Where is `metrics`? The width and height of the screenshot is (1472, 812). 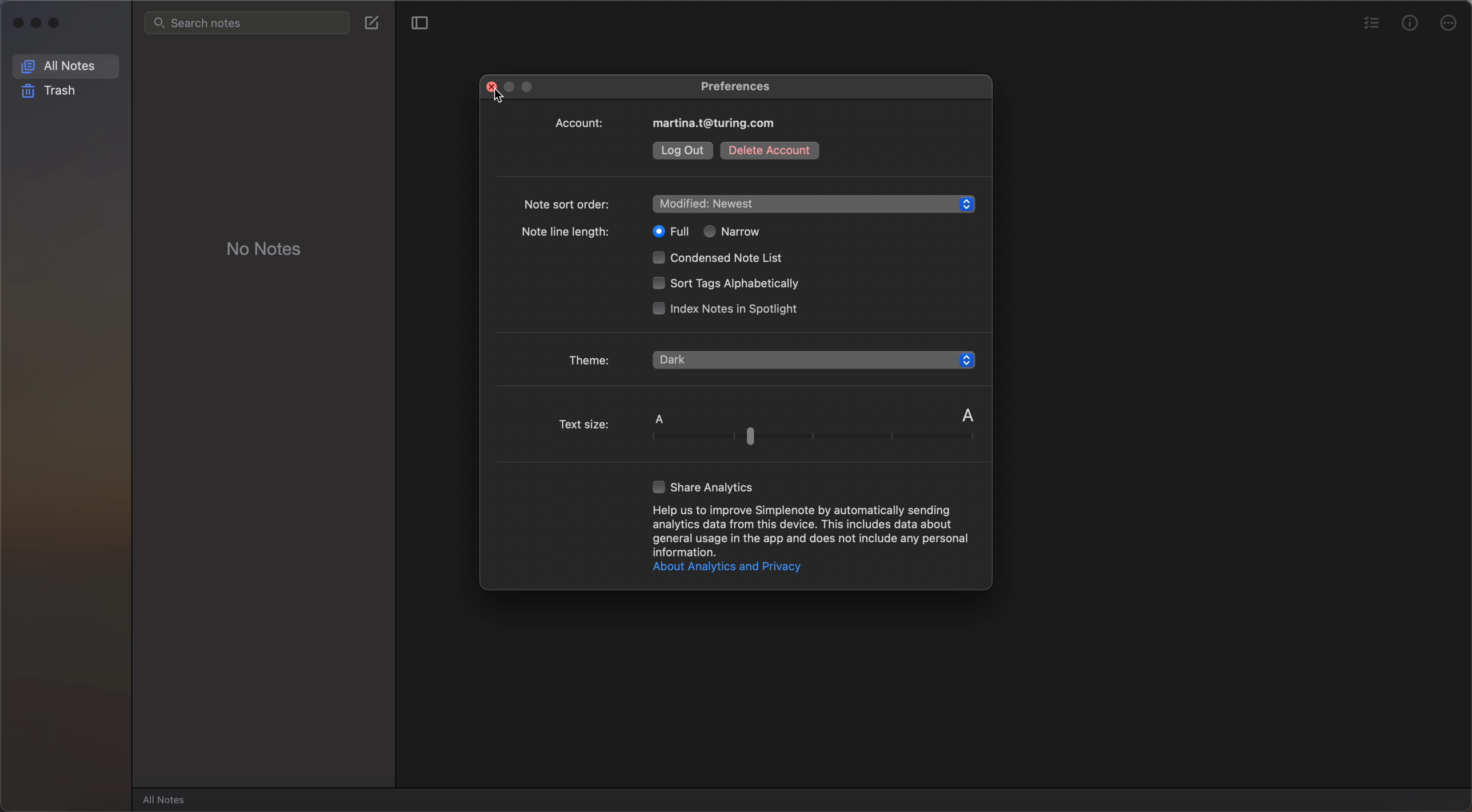 metrics is located at coordinates (1410, 22).